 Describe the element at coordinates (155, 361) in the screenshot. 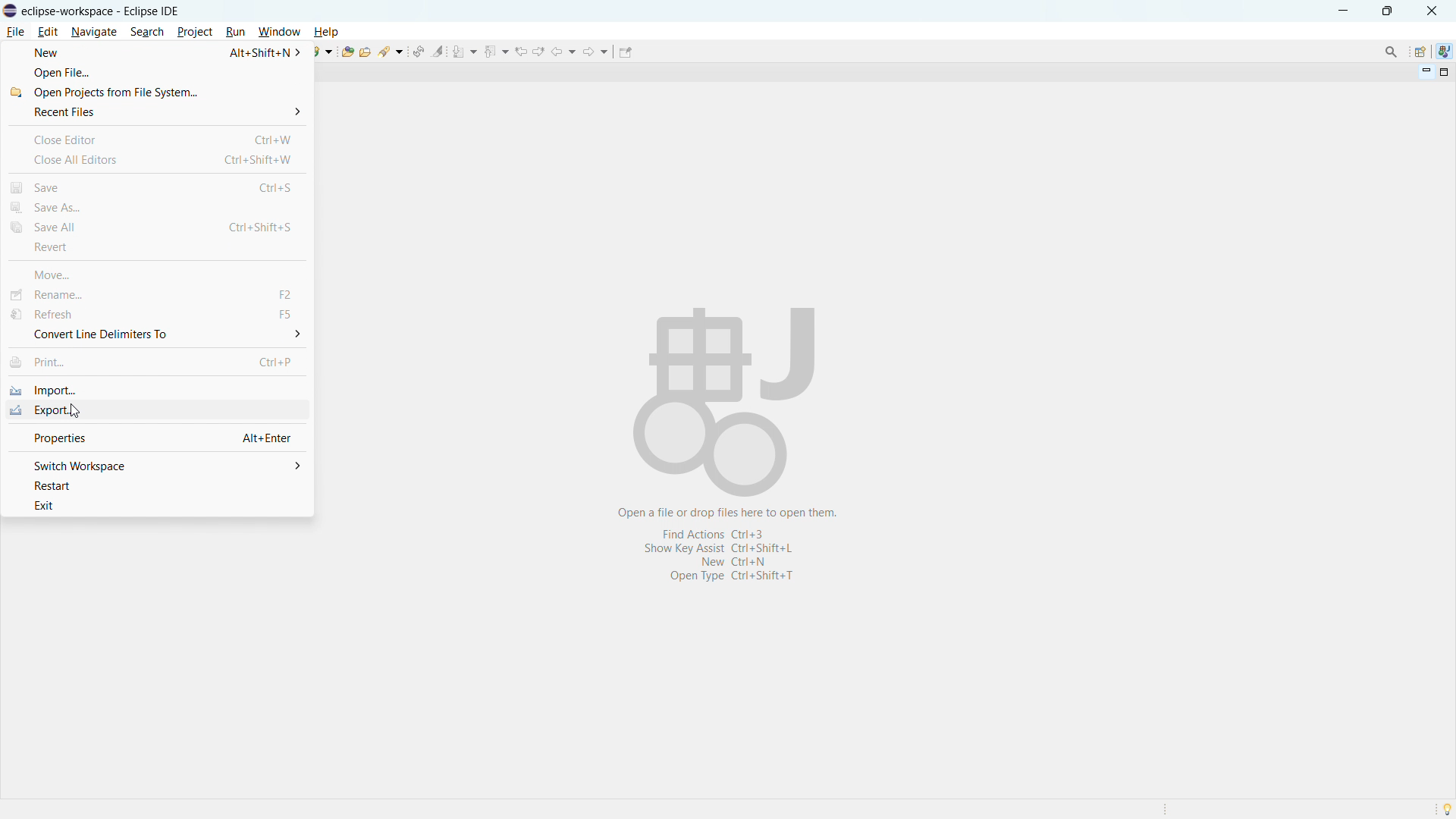

I see `print` at that location.